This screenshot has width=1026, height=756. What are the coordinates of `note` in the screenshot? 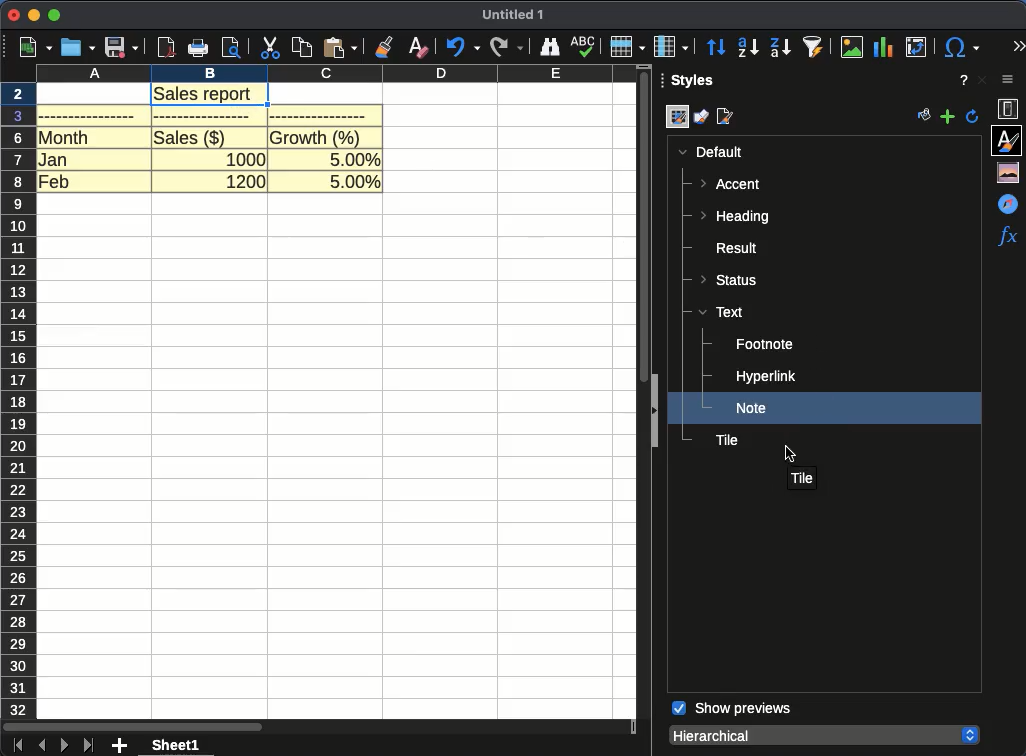 It's located at (753, 408).